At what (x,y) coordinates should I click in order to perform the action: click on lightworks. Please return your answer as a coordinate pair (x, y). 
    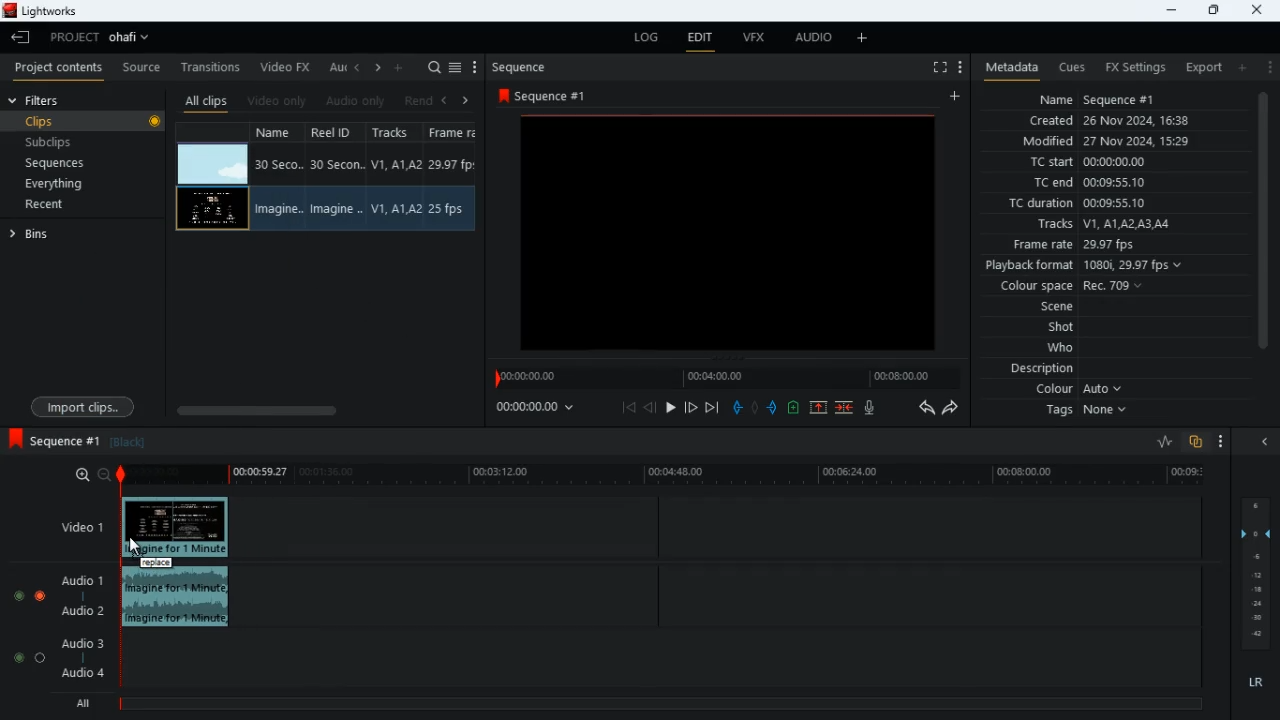
    Looking at the image, I should click on (47, 12).